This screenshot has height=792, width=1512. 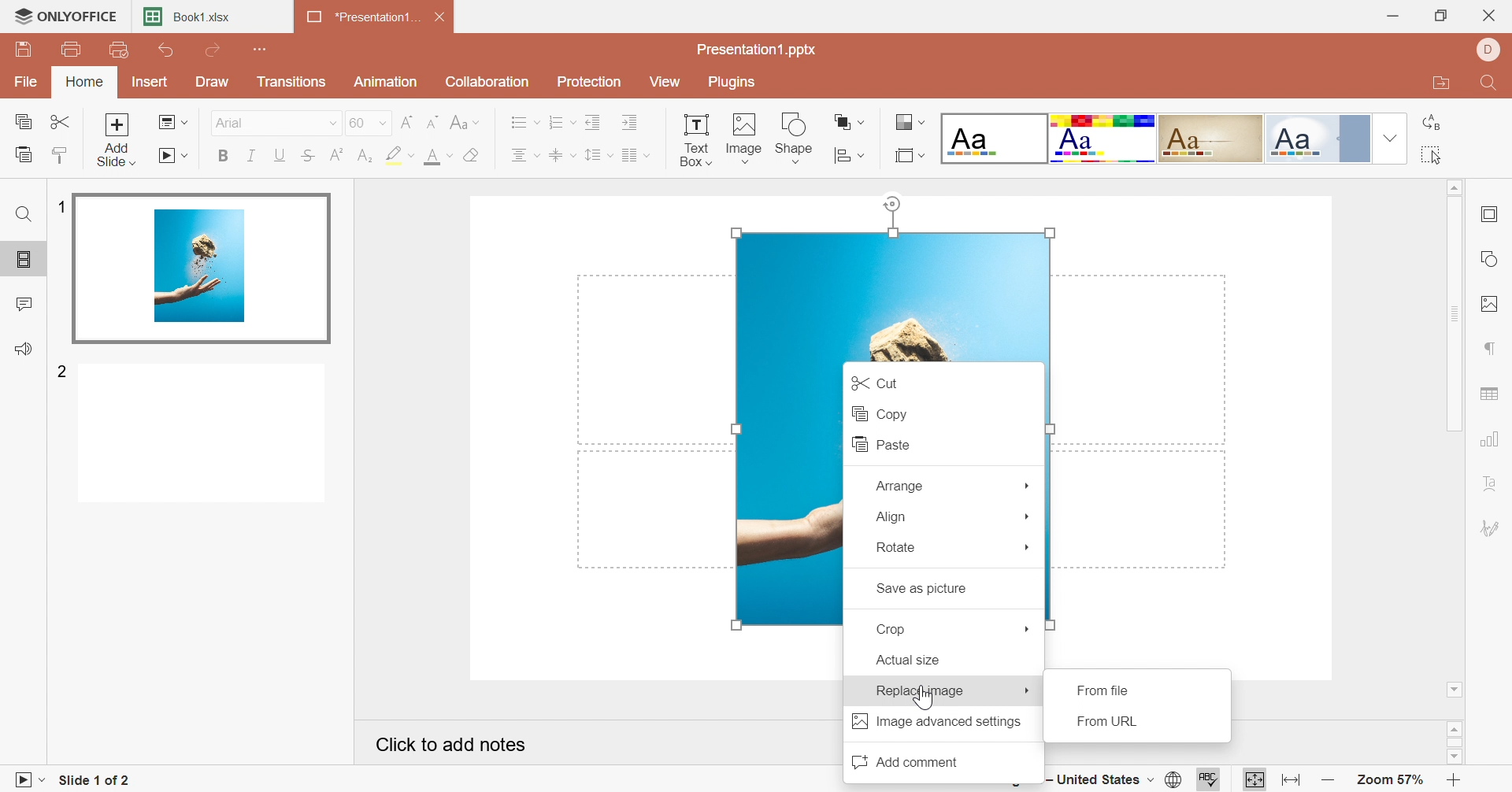 What do you see at coordinates (251, 156) in the screenshot?
I see `Italic` at bounding box center [251, 156].